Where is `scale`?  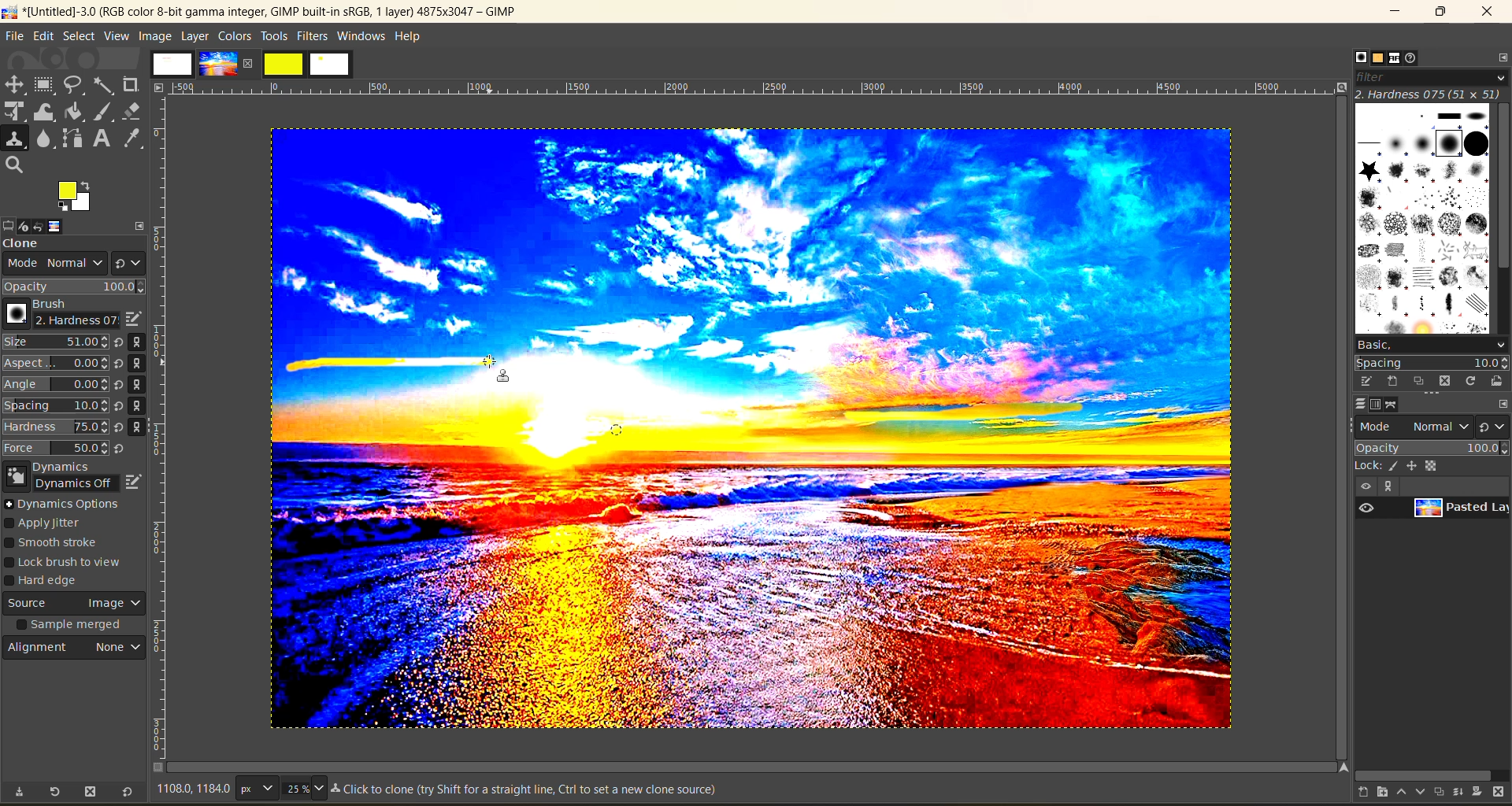 scale is located at coordinates (15, 113).